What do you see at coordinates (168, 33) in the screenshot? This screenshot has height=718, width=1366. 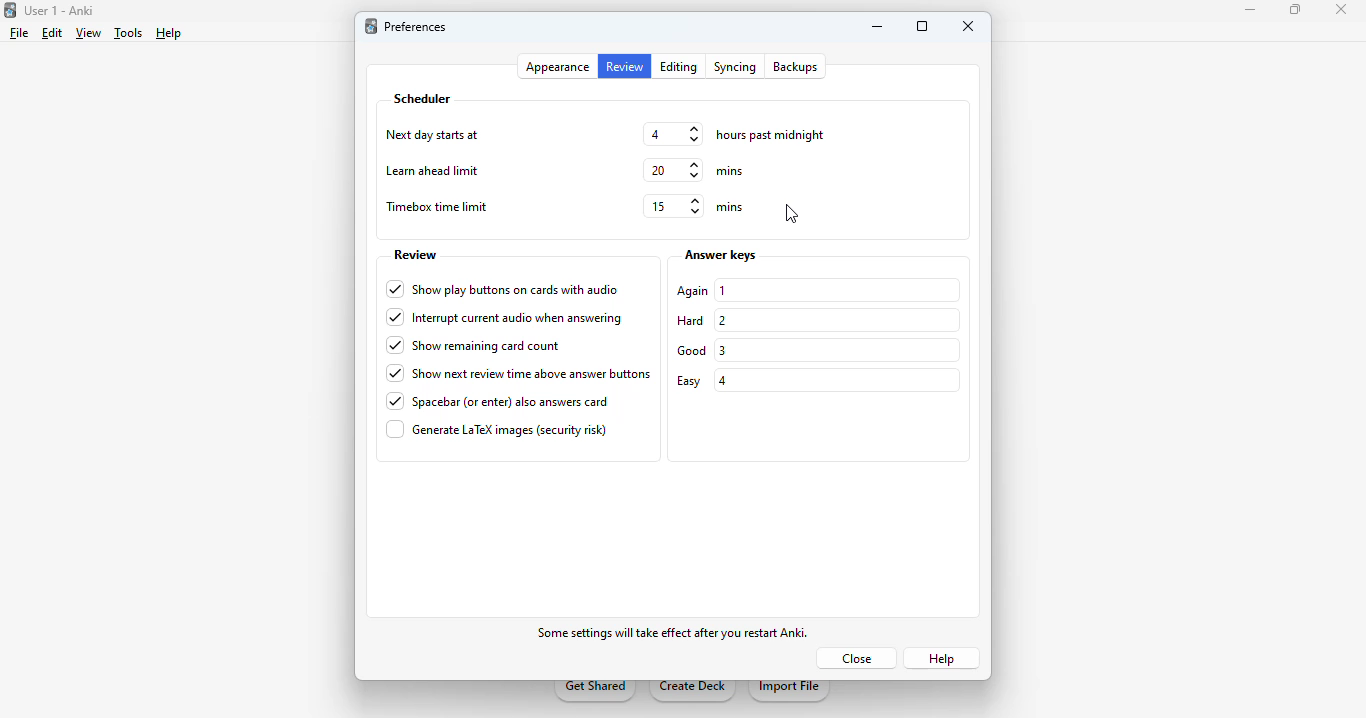 I see `help` at bounding box center [168, 33].